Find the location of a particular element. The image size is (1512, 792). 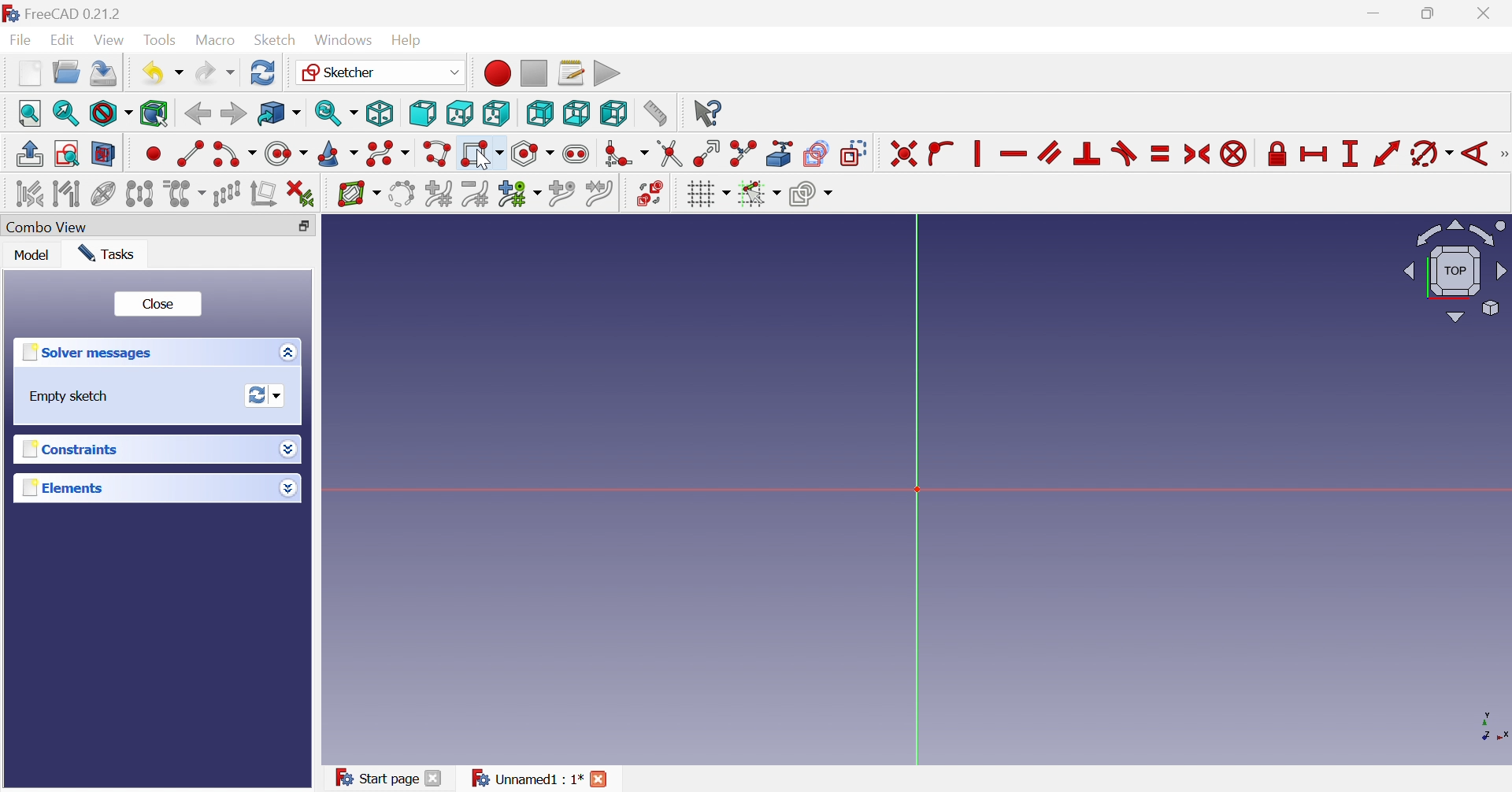

Toggle snap is located at coordinates (758, 194).